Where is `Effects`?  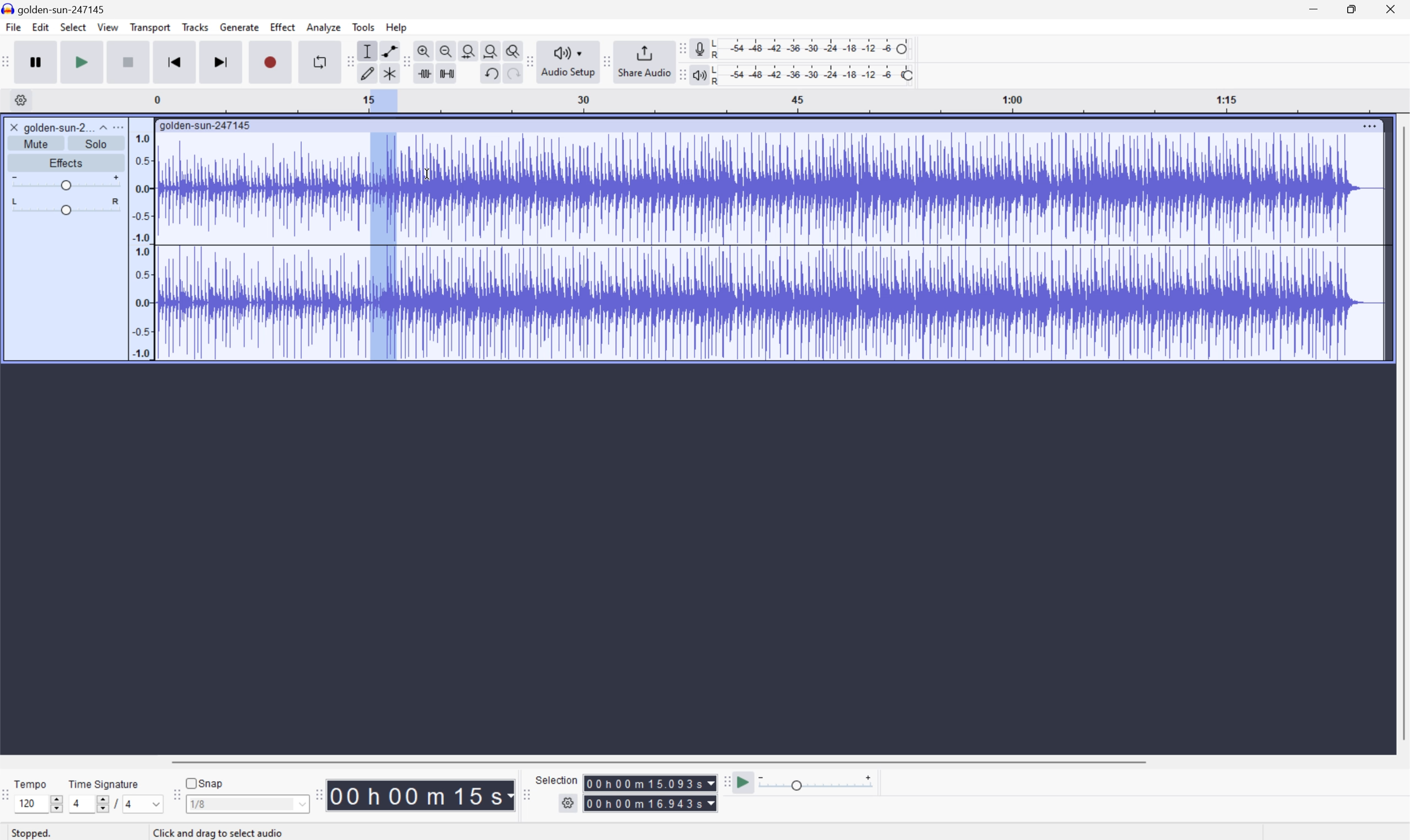
Effects is located at coordinates (66, 162).